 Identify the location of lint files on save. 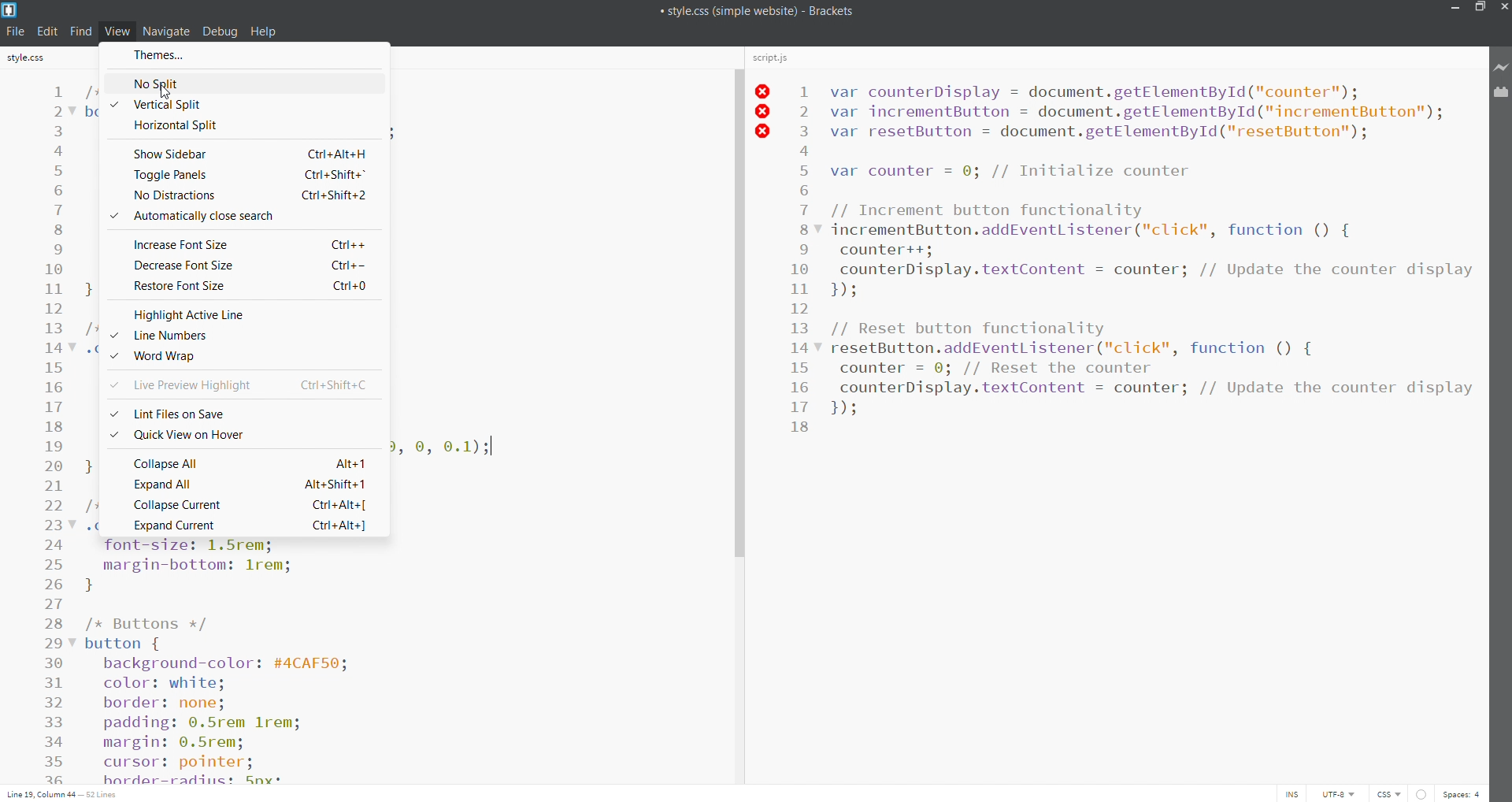
(241, 410).